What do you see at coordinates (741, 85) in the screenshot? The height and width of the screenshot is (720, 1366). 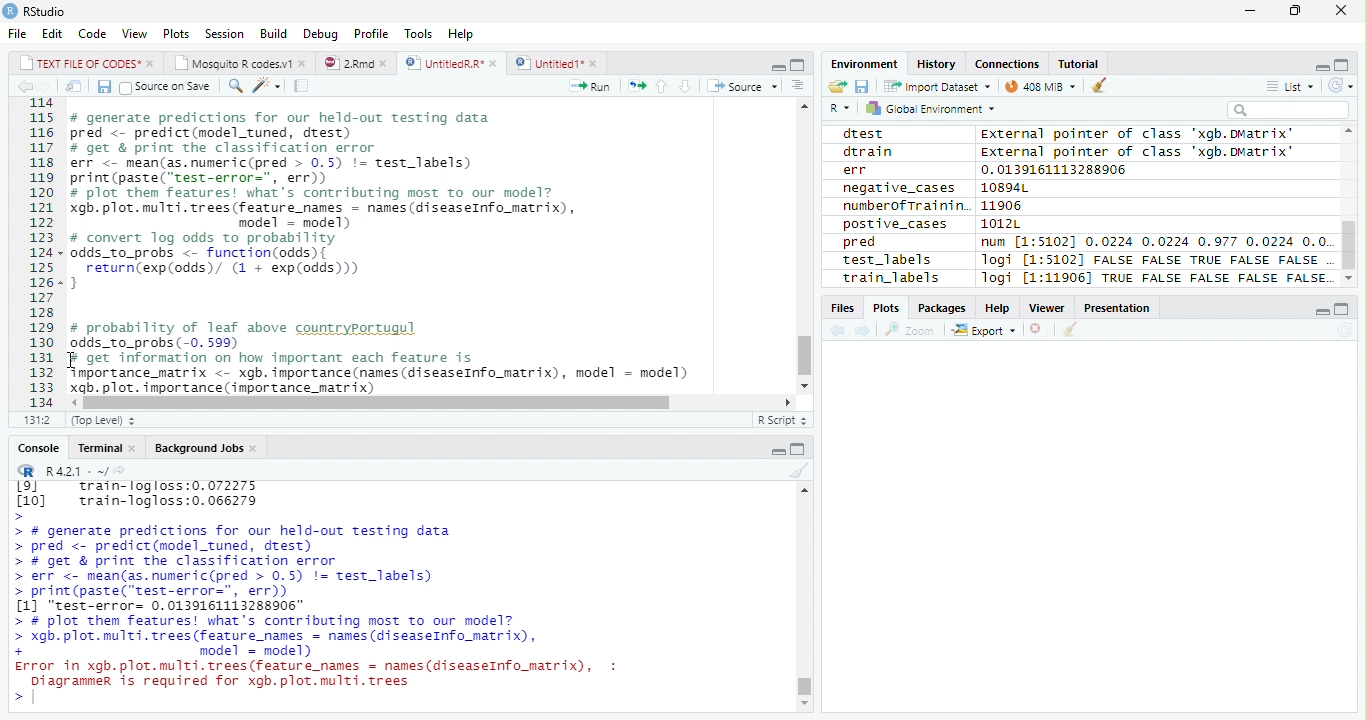 I see `Source` at bounding box center [741, 85].